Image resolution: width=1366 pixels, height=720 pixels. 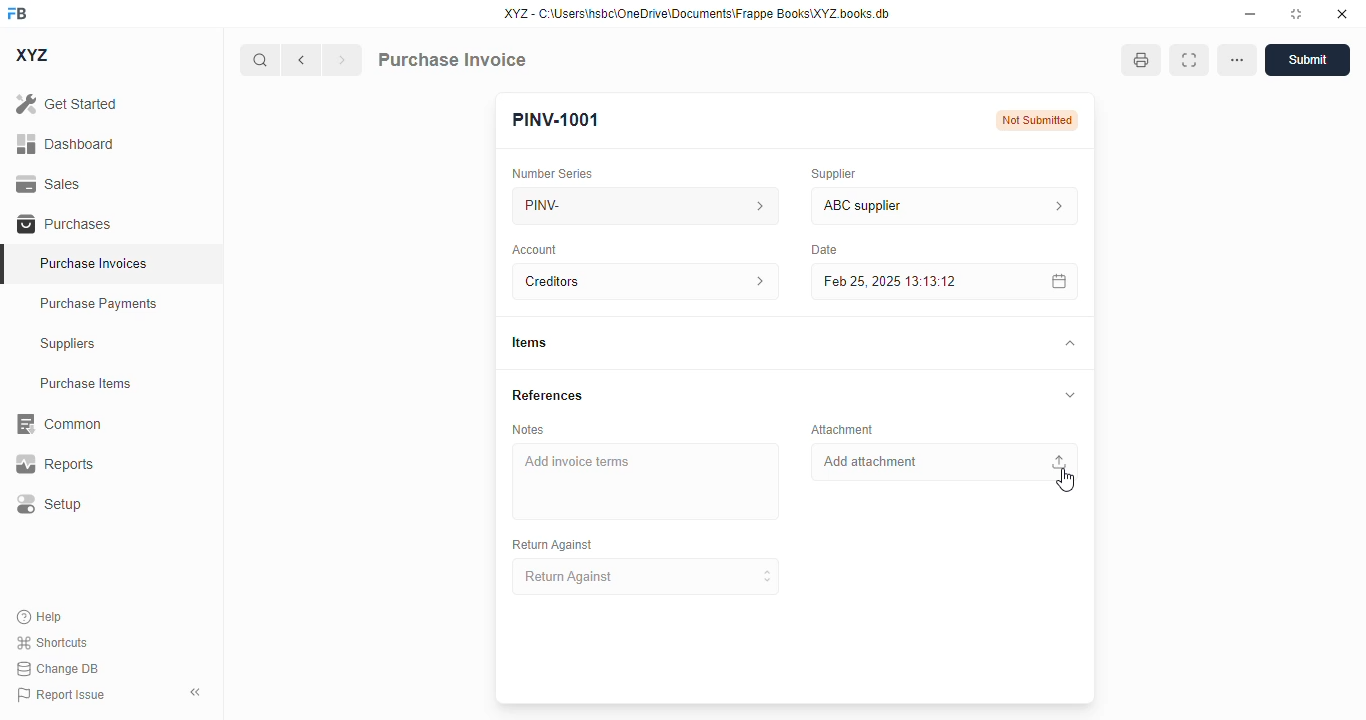 What do you see at coordinates (40, 617) in the screenshot?
I see `help` at bounding box center [40, 617].